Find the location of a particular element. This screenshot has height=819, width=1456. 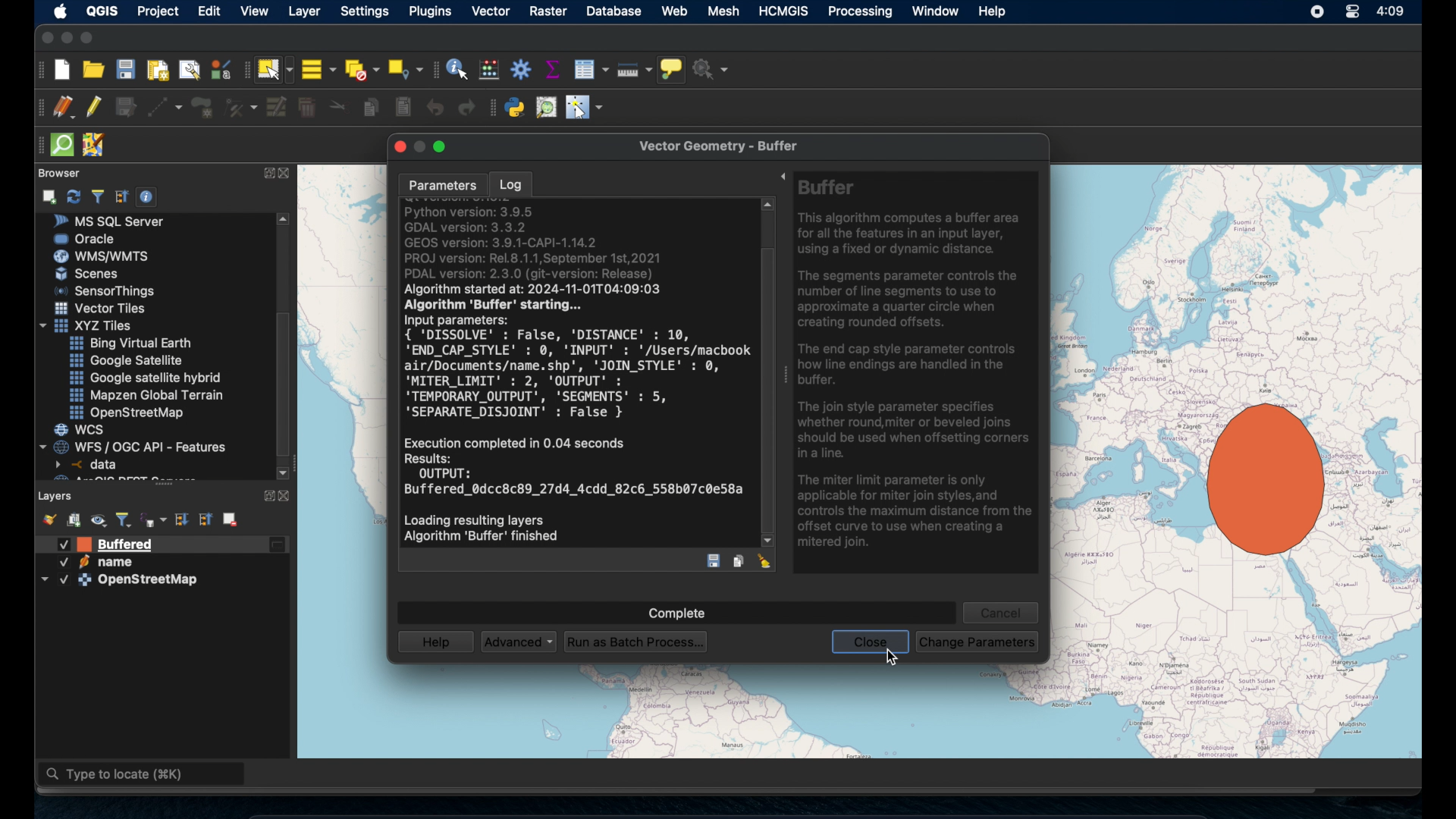

show map tips is located at coordinates (673, 69).